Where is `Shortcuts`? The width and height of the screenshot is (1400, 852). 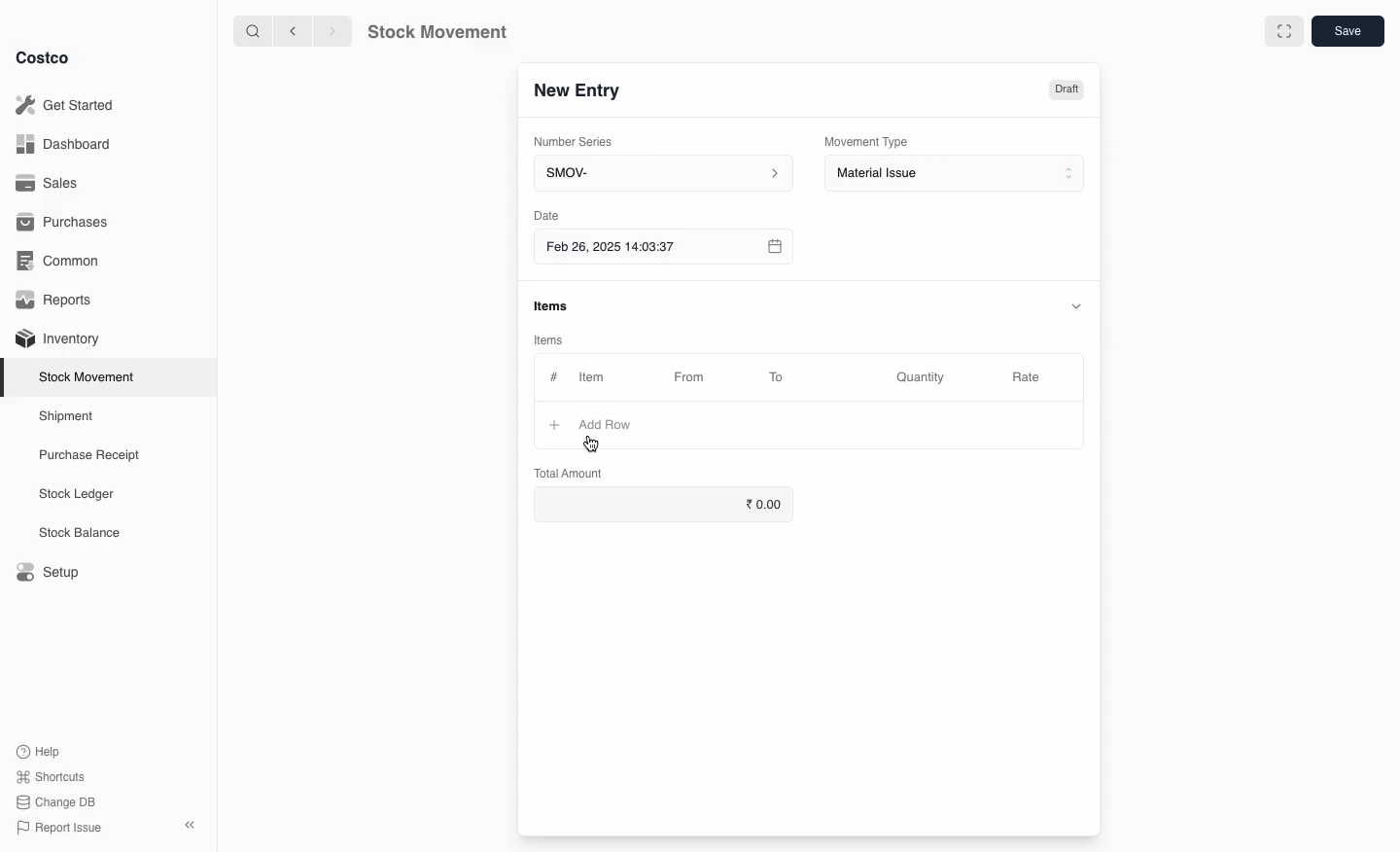
Shortcuts is located at coordinates (51, 774).